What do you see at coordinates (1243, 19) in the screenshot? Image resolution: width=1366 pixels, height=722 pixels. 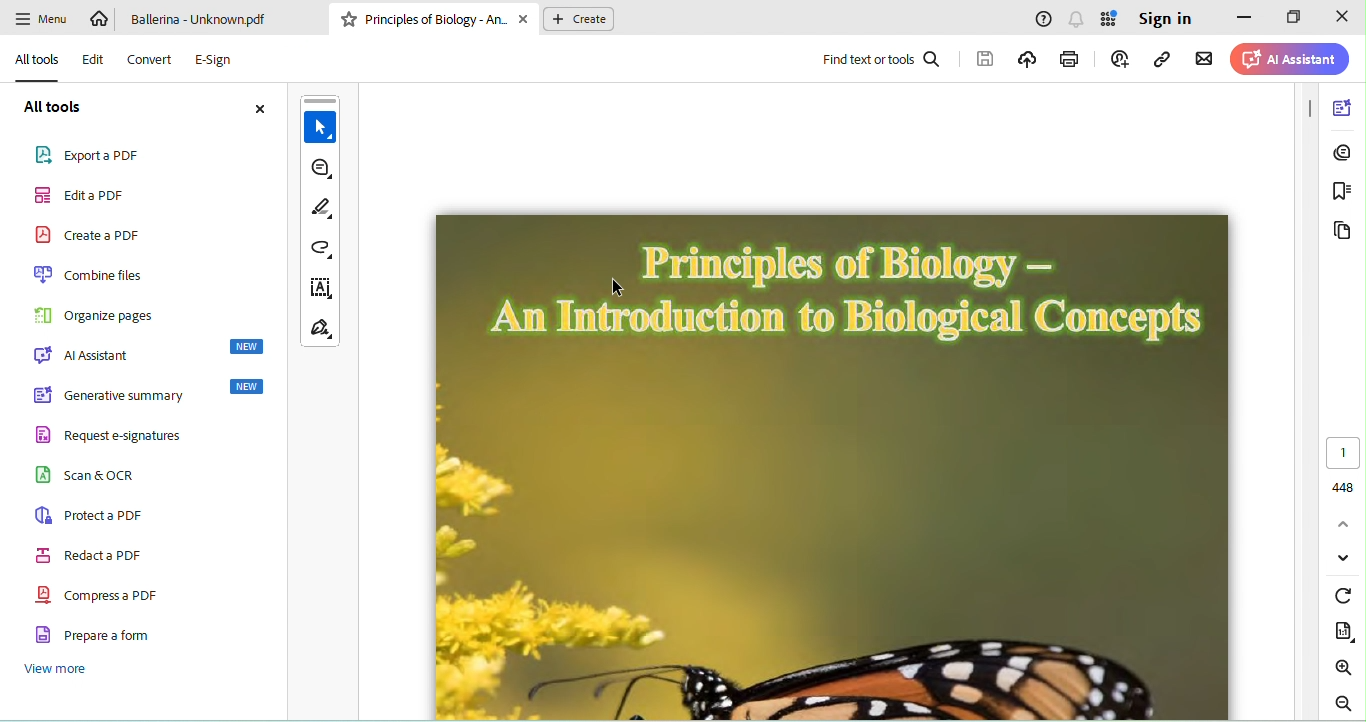 I see `minimize` at bounding box center [1243, 19].